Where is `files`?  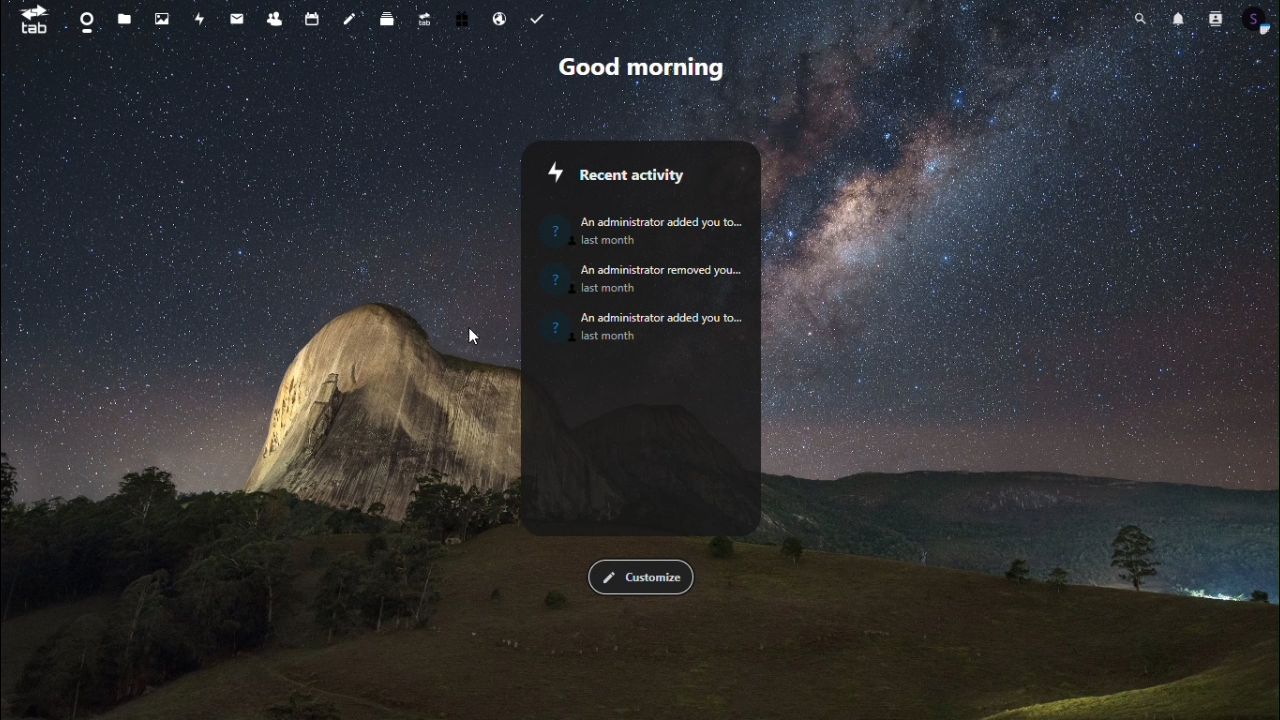
files is located at coordinates (124, 20).